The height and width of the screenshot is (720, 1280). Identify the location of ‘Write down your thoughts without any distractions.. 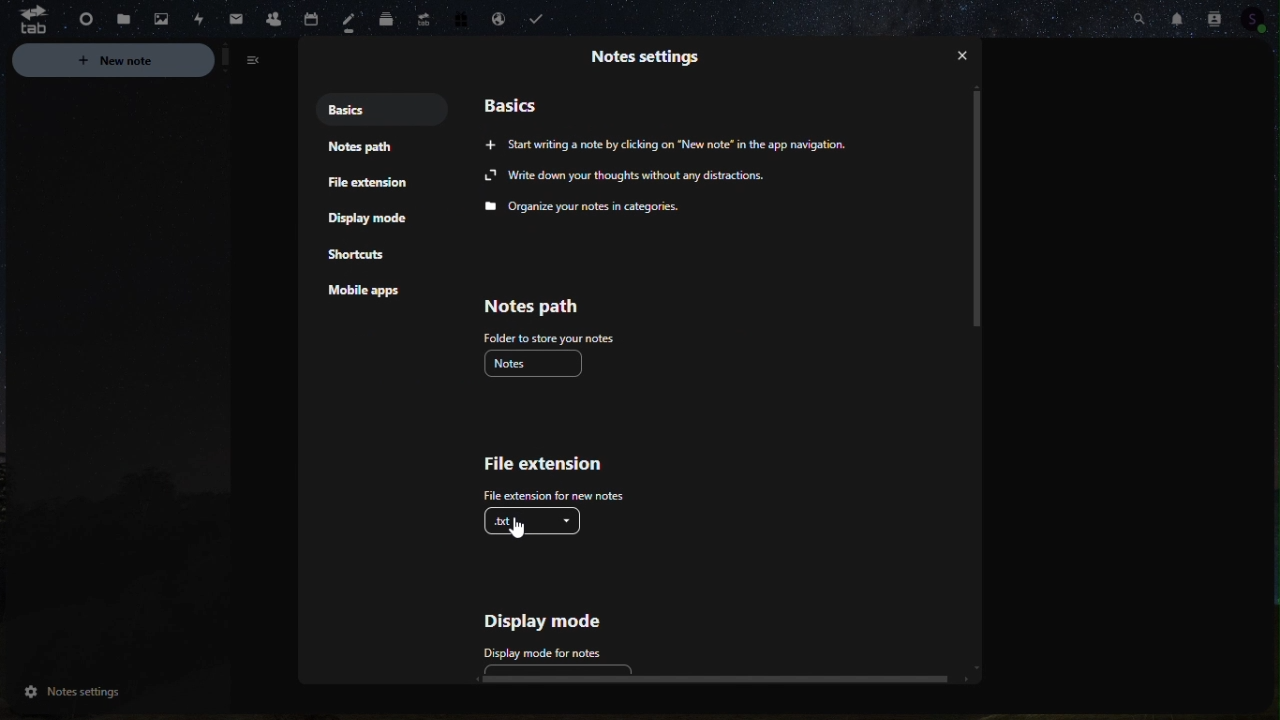
(628, 176).